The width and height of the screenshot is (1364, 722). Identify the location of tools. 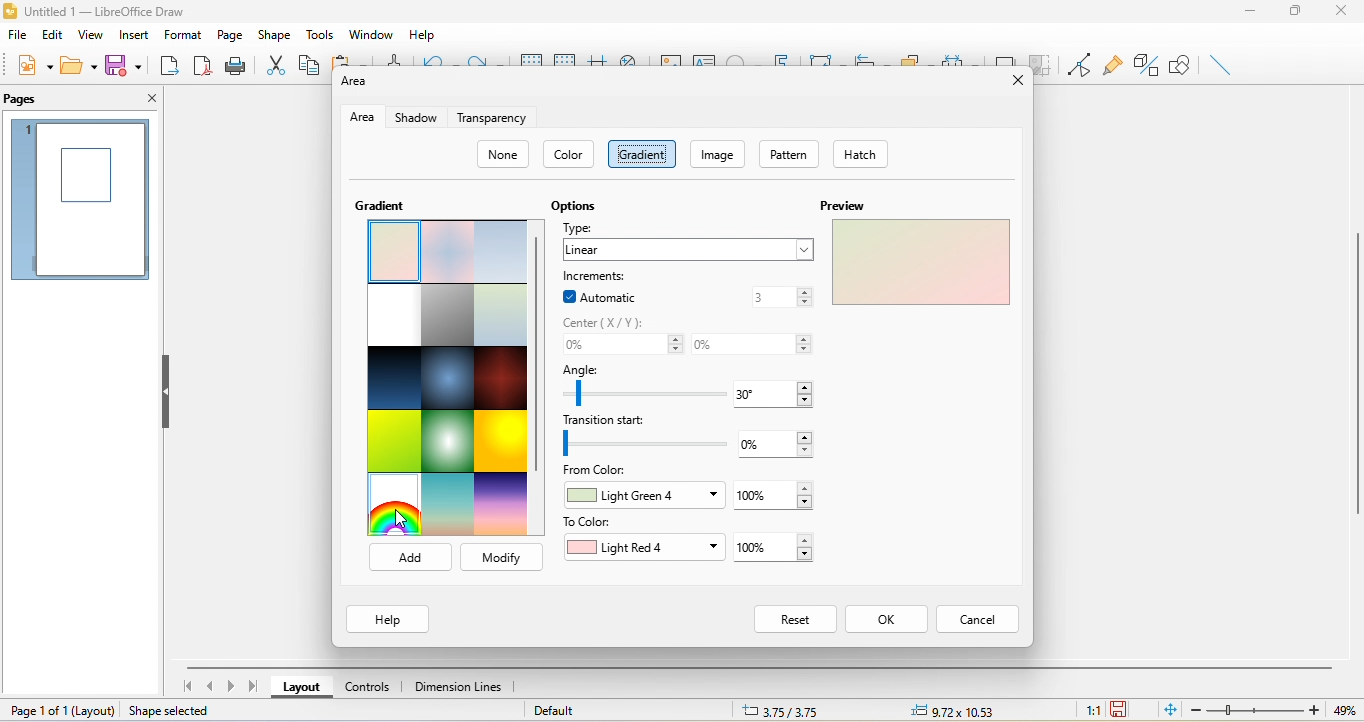
(323, 33).